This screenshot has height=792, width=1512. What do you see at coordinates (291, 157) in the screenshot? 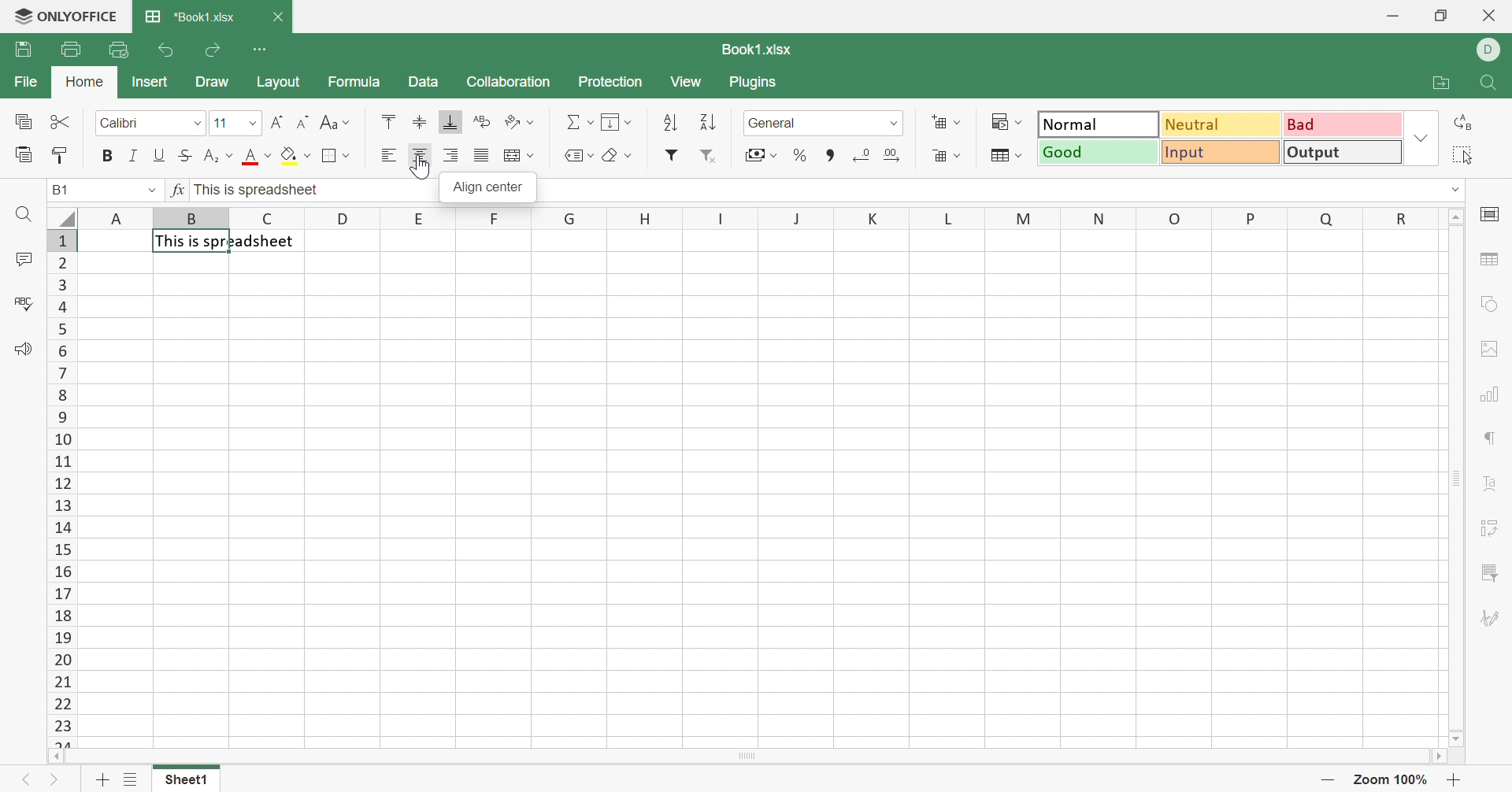
I see `Fill color` at bounding box center [291, 157].